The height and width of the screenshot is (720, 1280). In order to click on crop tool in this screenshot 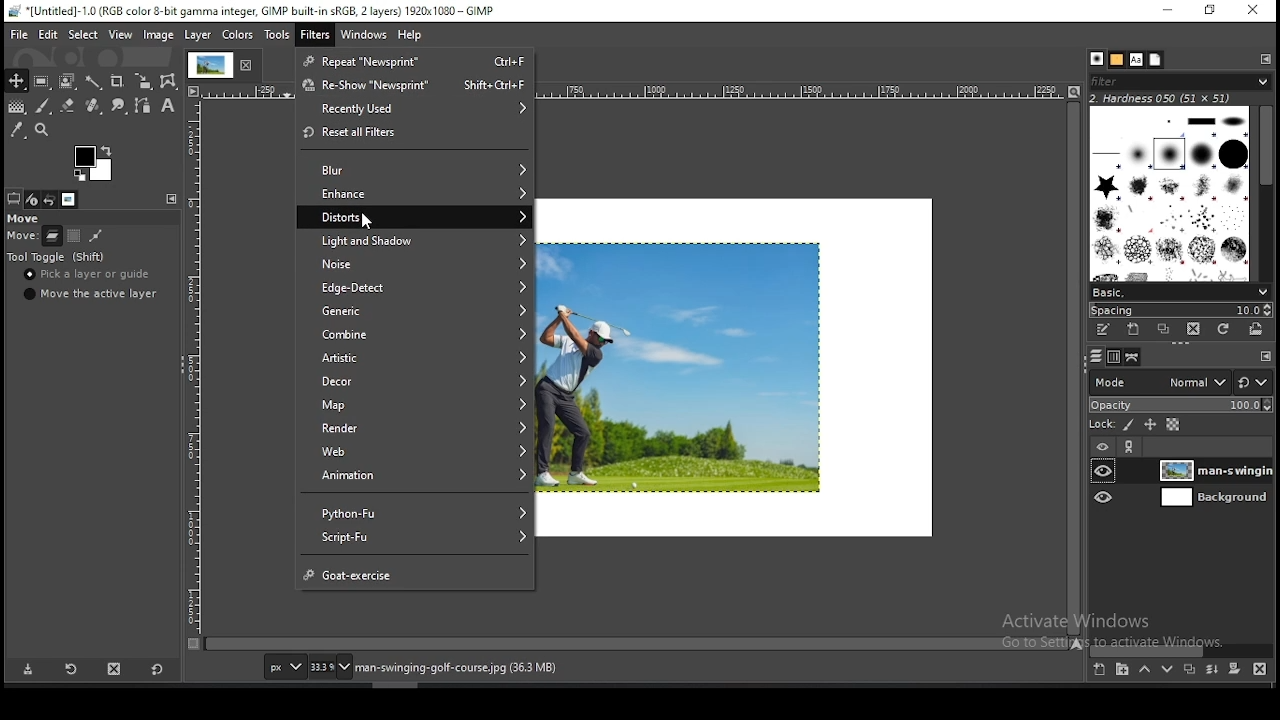, I will do `click(119, 82)`.